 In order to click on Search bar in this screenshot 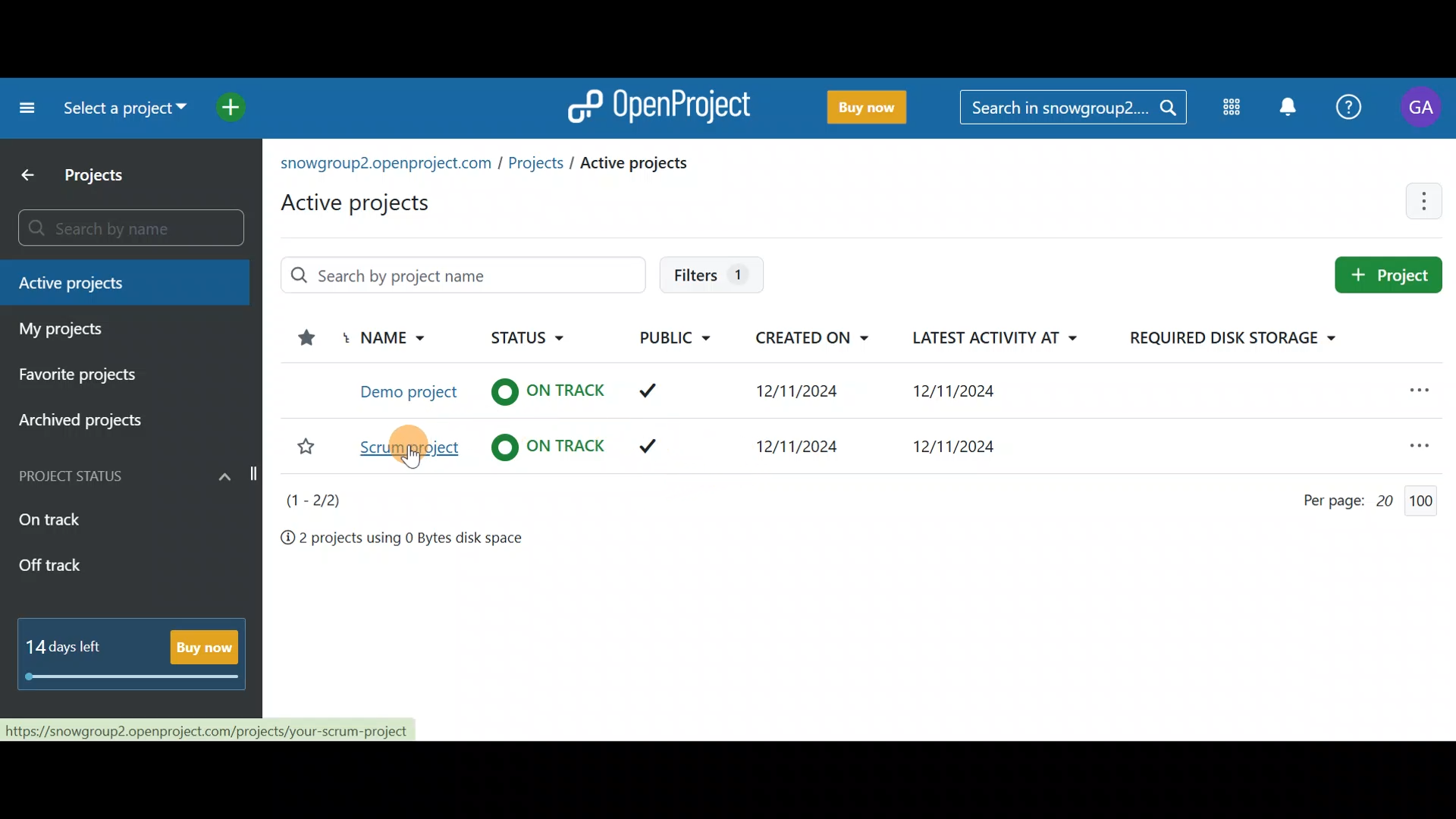, I will do `click(1072, 110)`.